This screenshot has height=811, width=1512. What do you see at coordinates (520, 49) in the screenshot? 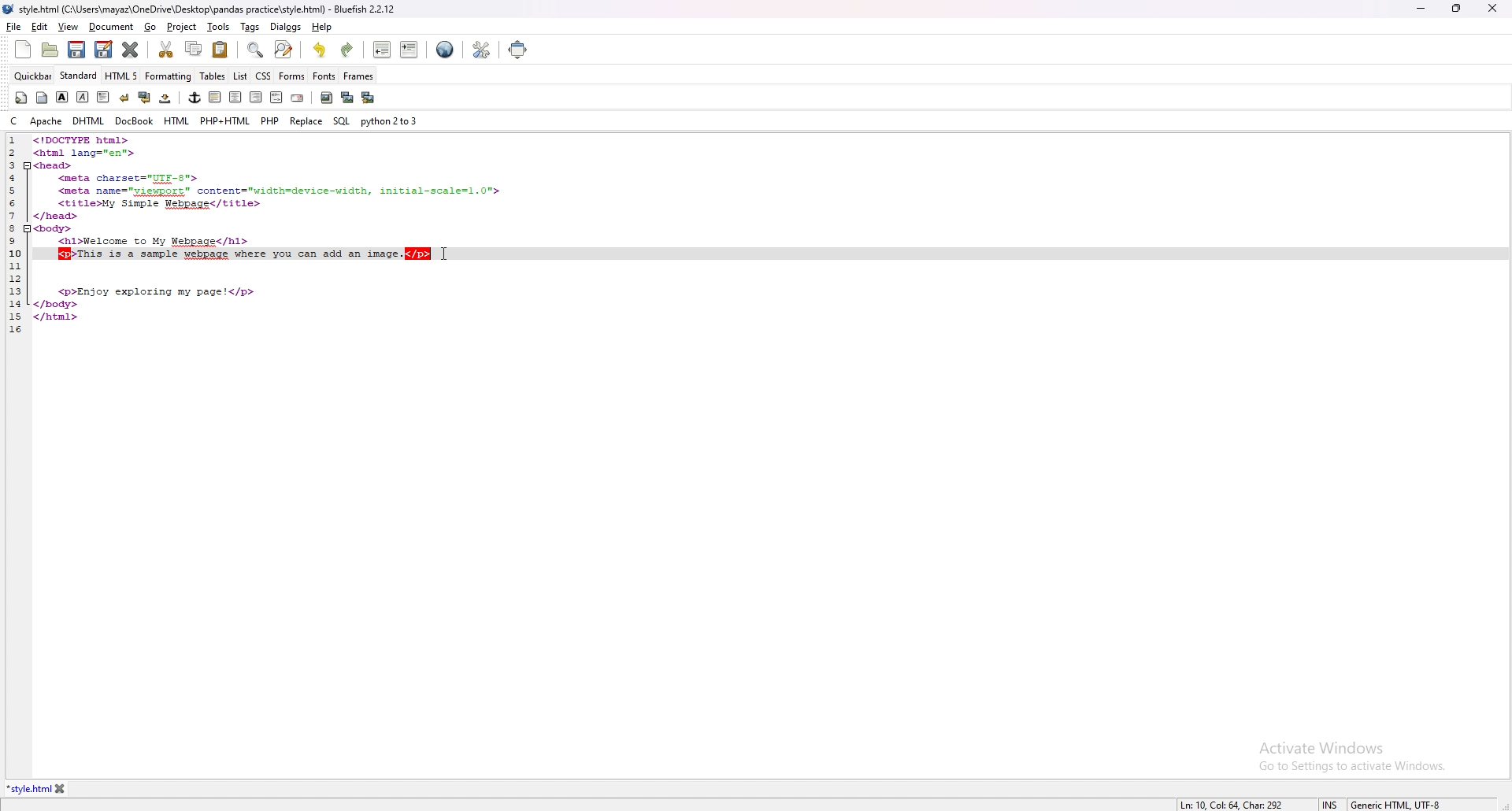
I see `full screen` at bounding box center [520, 49].